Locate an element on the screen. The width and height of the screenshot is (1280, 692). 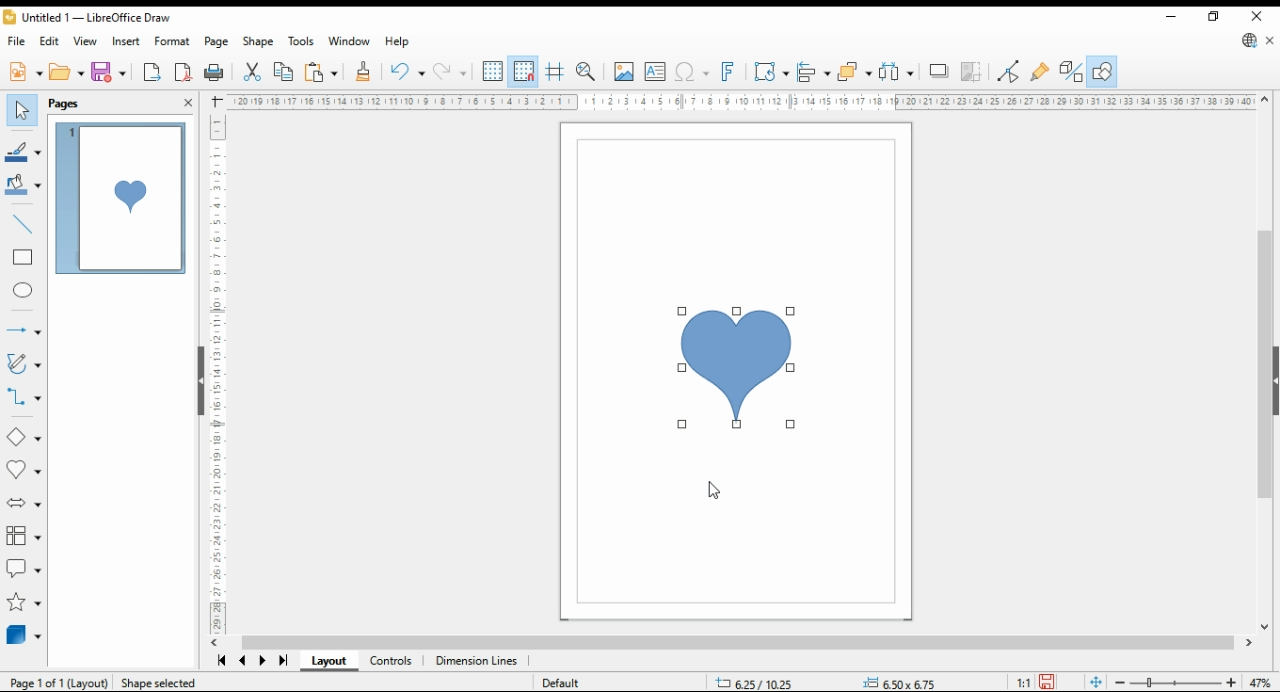
block arrows is located at coordinates (22, 505).